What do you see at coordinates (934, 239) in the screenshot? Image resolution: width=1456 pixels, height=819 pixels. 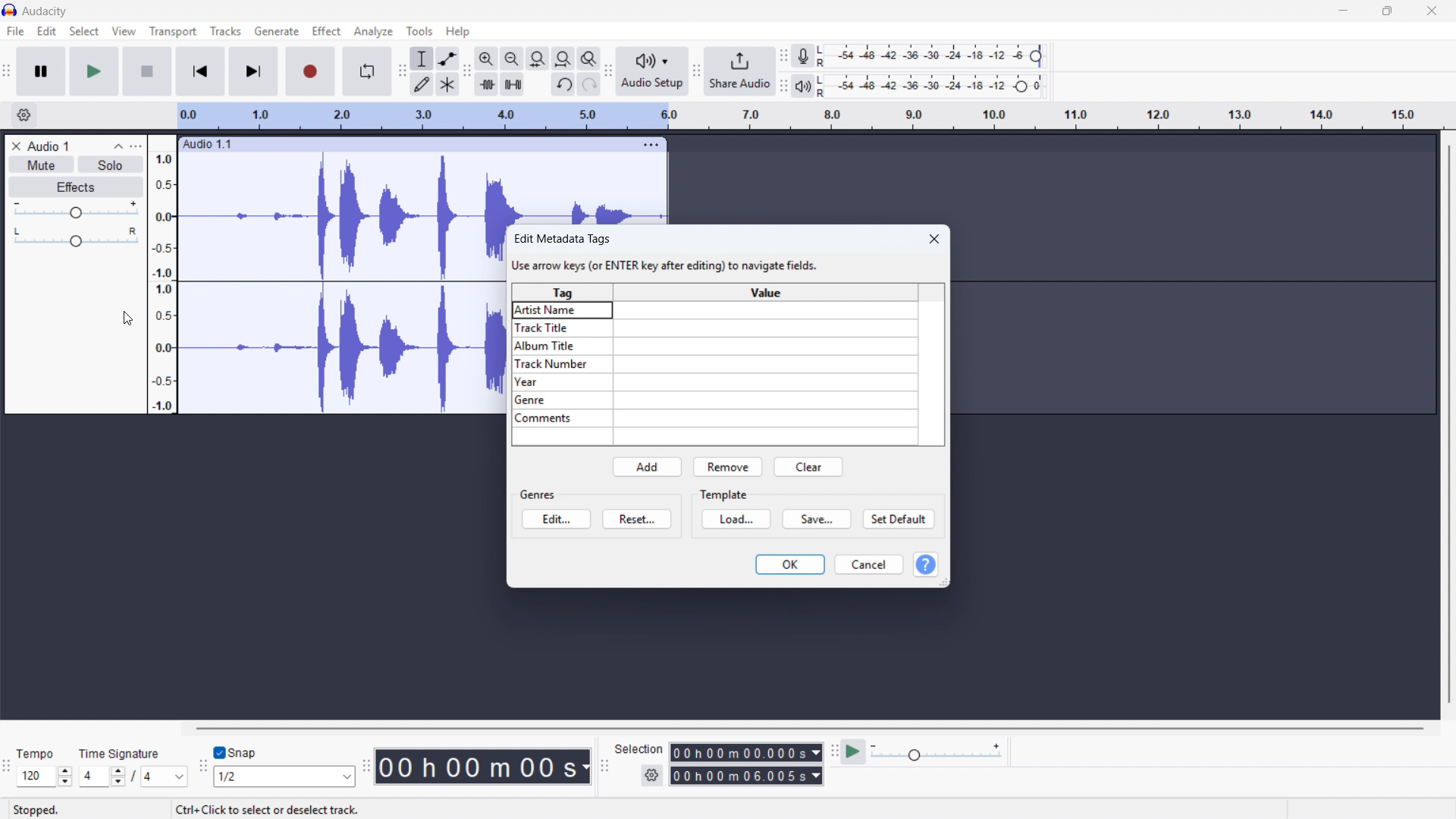 I see `close` at bounding box center [934, 239].